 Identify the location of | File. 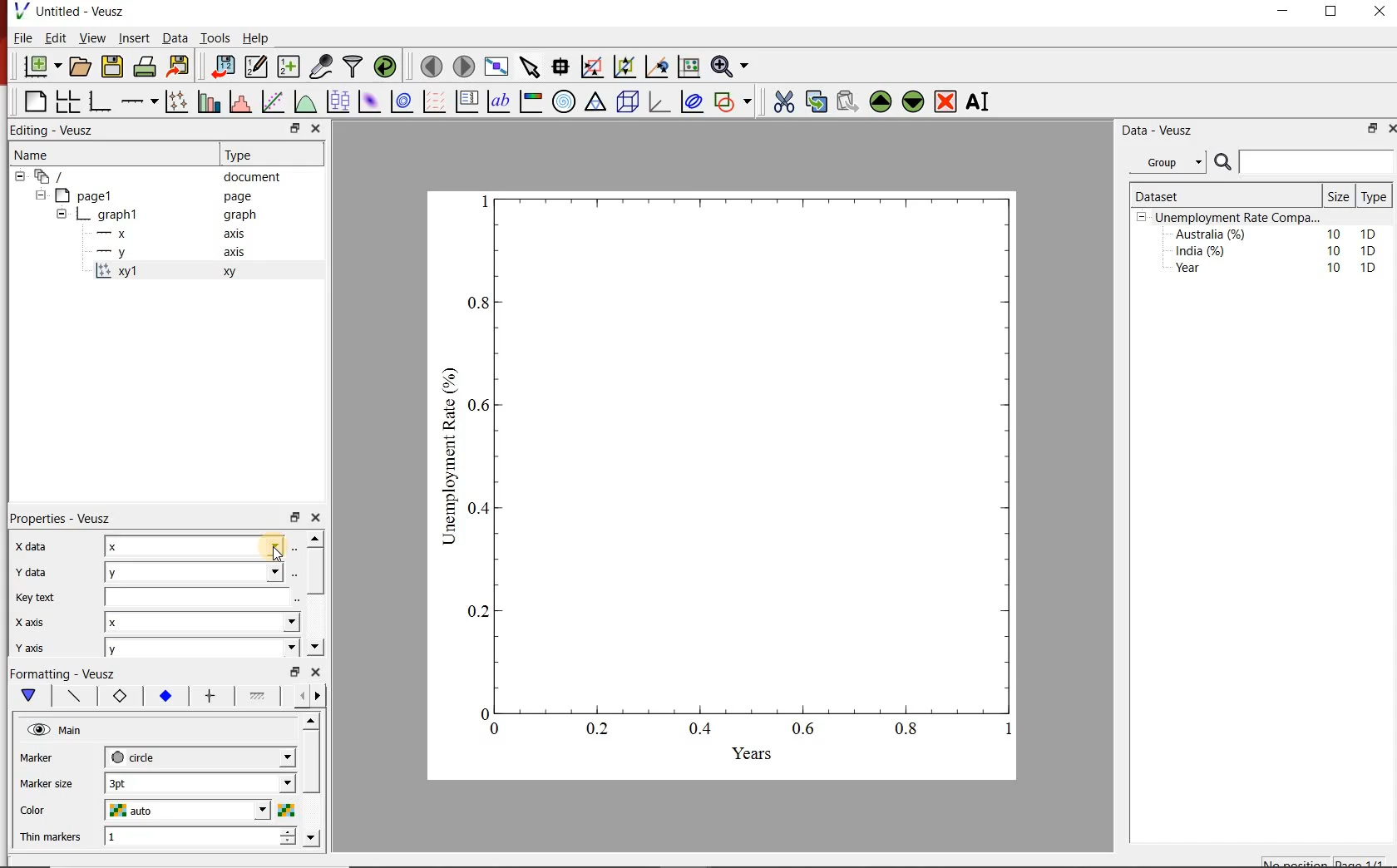
(19, 37).